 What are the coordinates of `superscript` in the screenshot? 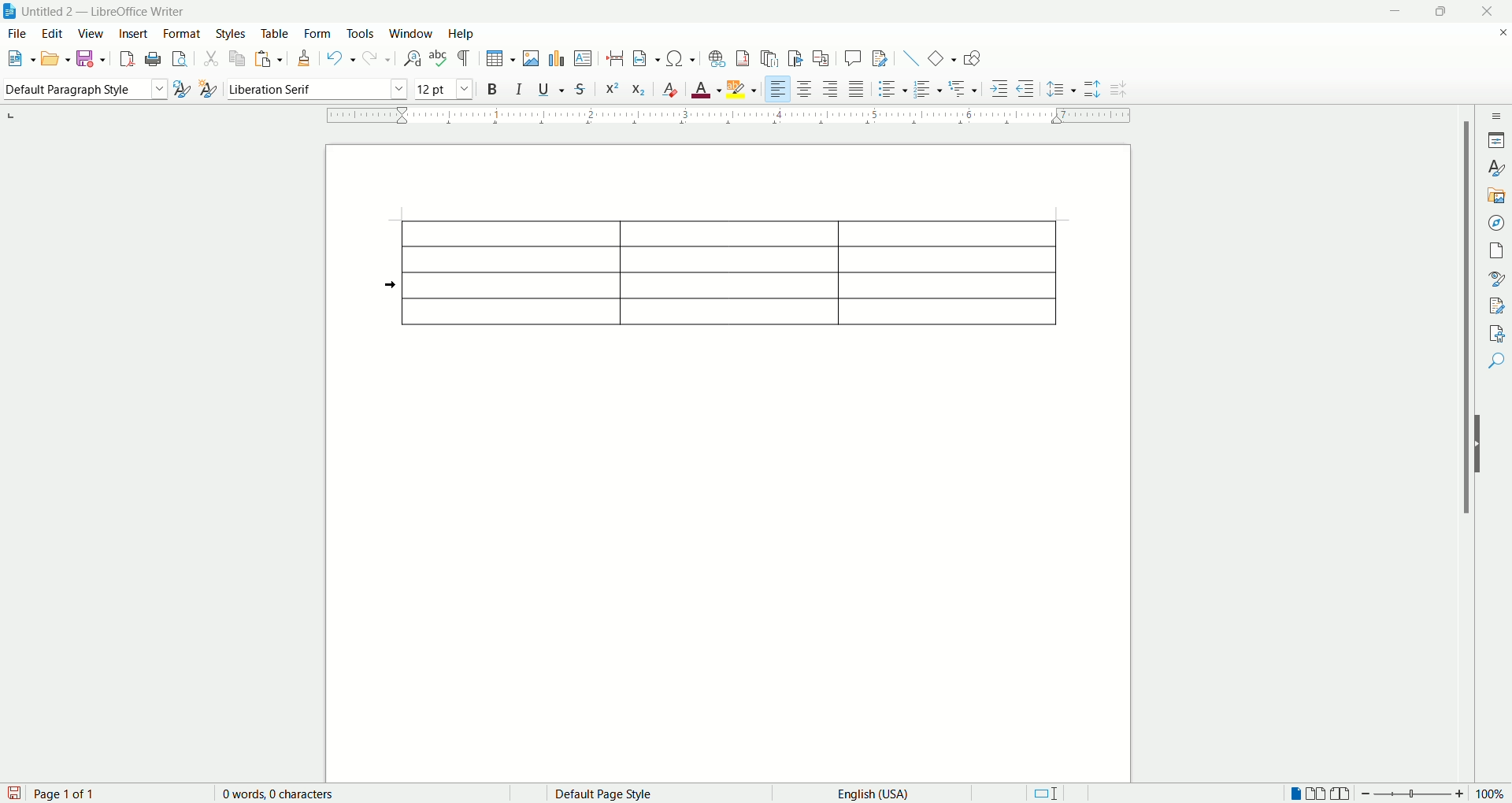 It's located at (613, 87).